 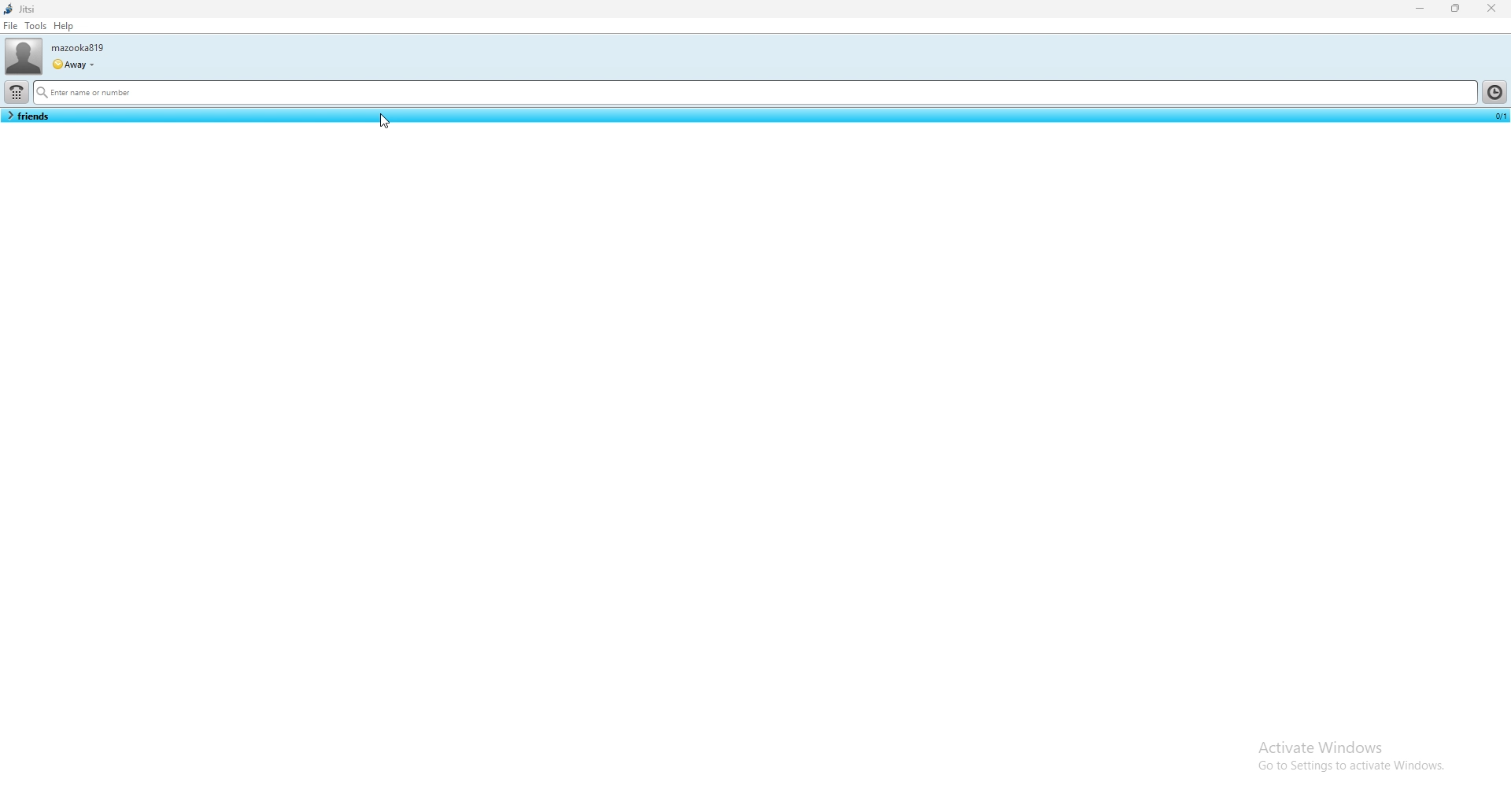 I want to click on close, so click(x=1490, y=9).